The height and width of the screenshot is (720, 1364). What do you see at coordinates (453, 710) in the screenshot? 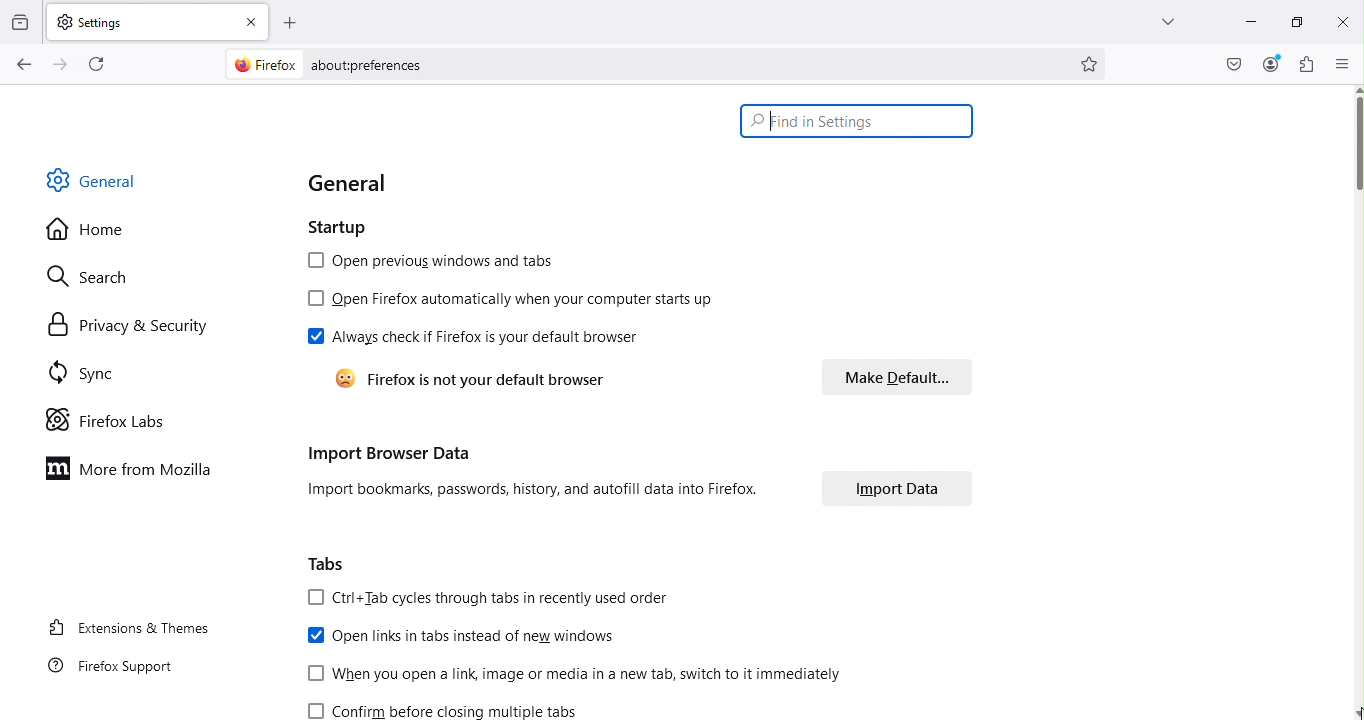
I see `Confirm before closing multiple tabs` at bounding box center [453, 710].